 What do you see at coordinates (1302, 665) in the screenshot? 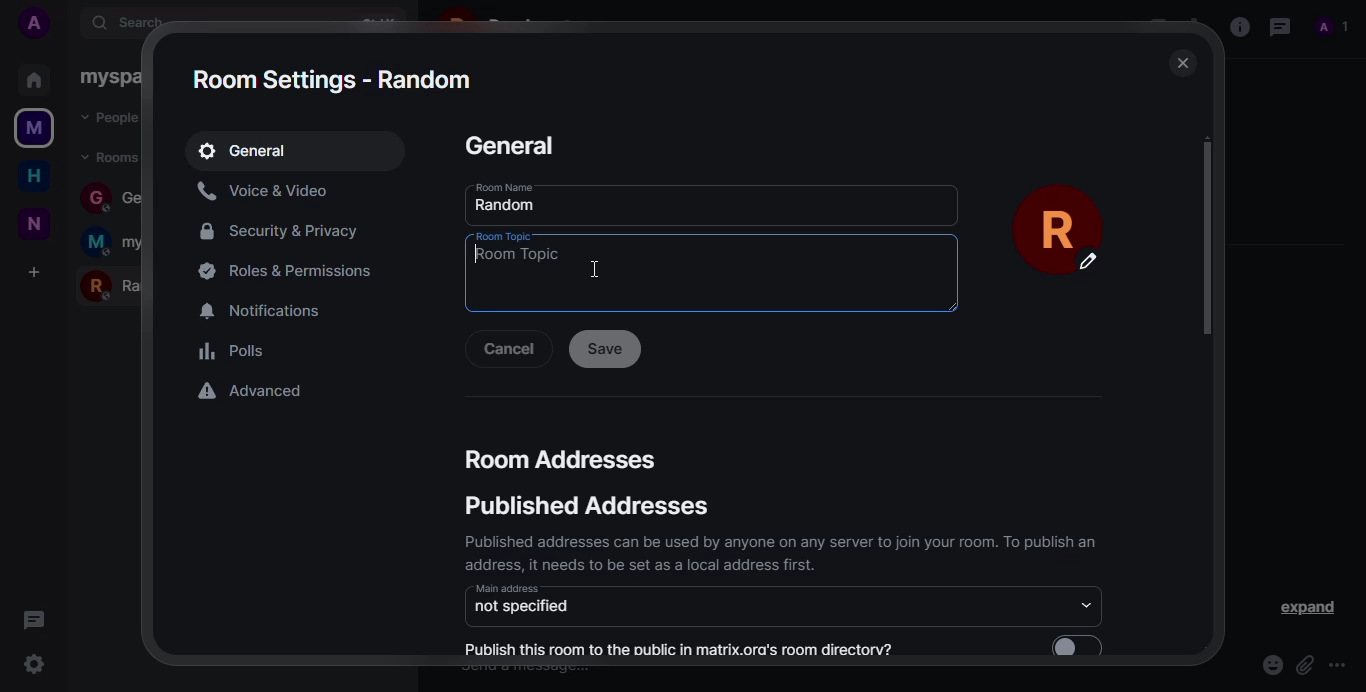
I see `attach` at bounding box center [1302, 665].